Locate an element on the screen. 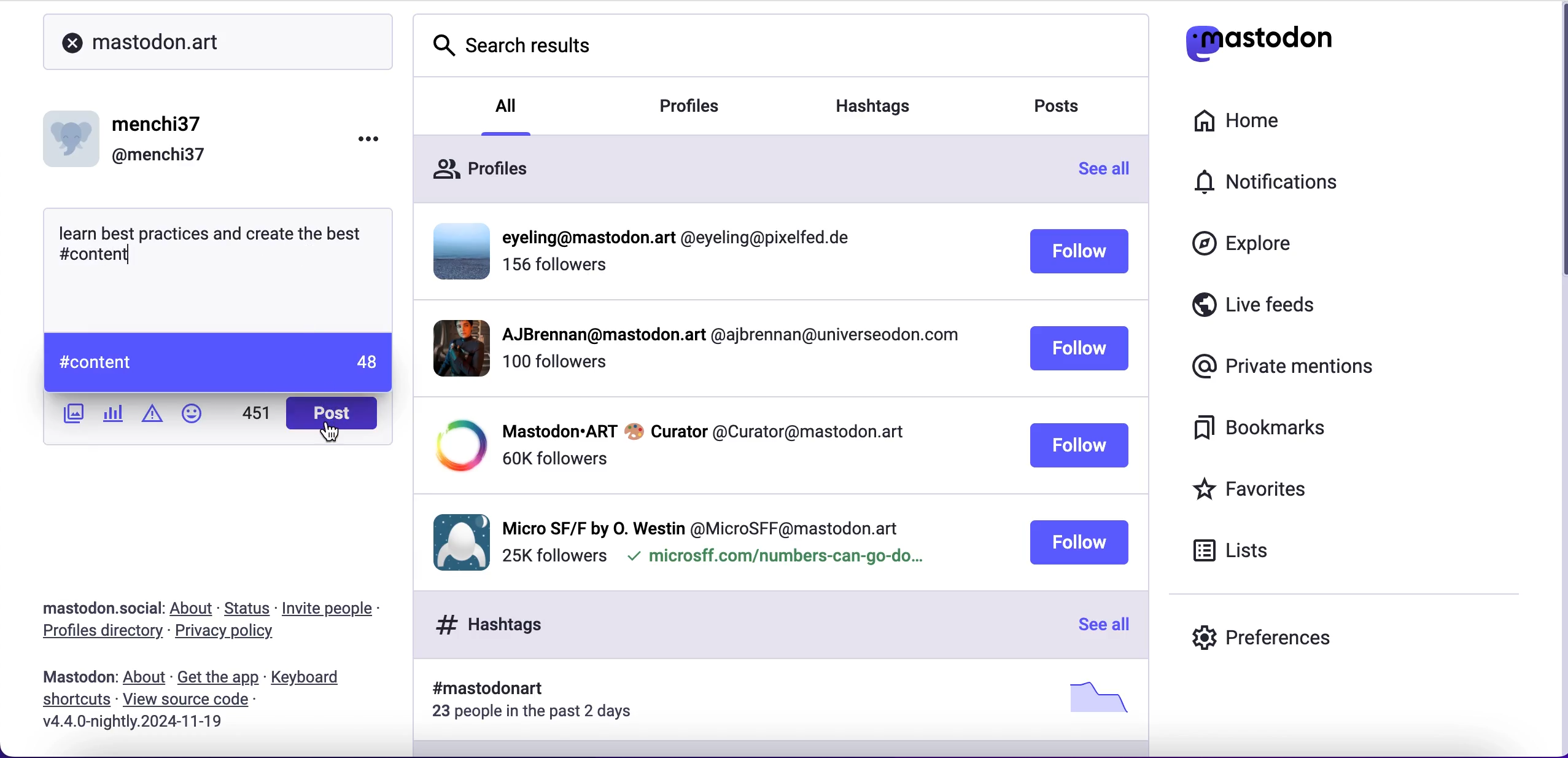 This screenshot has width=1568, height=758. add emoji is located at coordinates (192, 419).